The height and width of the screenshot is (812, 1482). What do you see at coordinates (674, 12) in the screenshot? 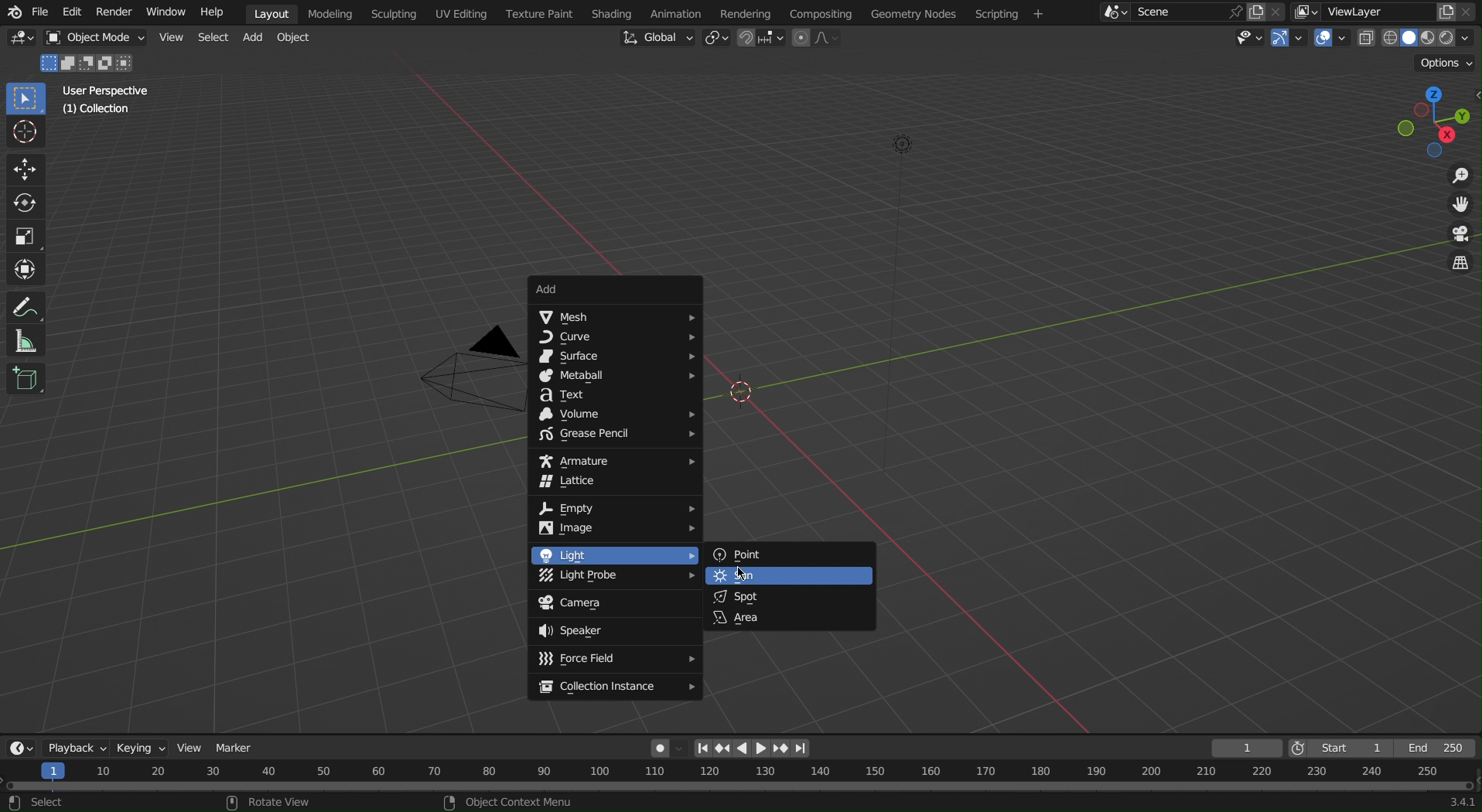
I see `Animation` at bounding box center [674, 12].